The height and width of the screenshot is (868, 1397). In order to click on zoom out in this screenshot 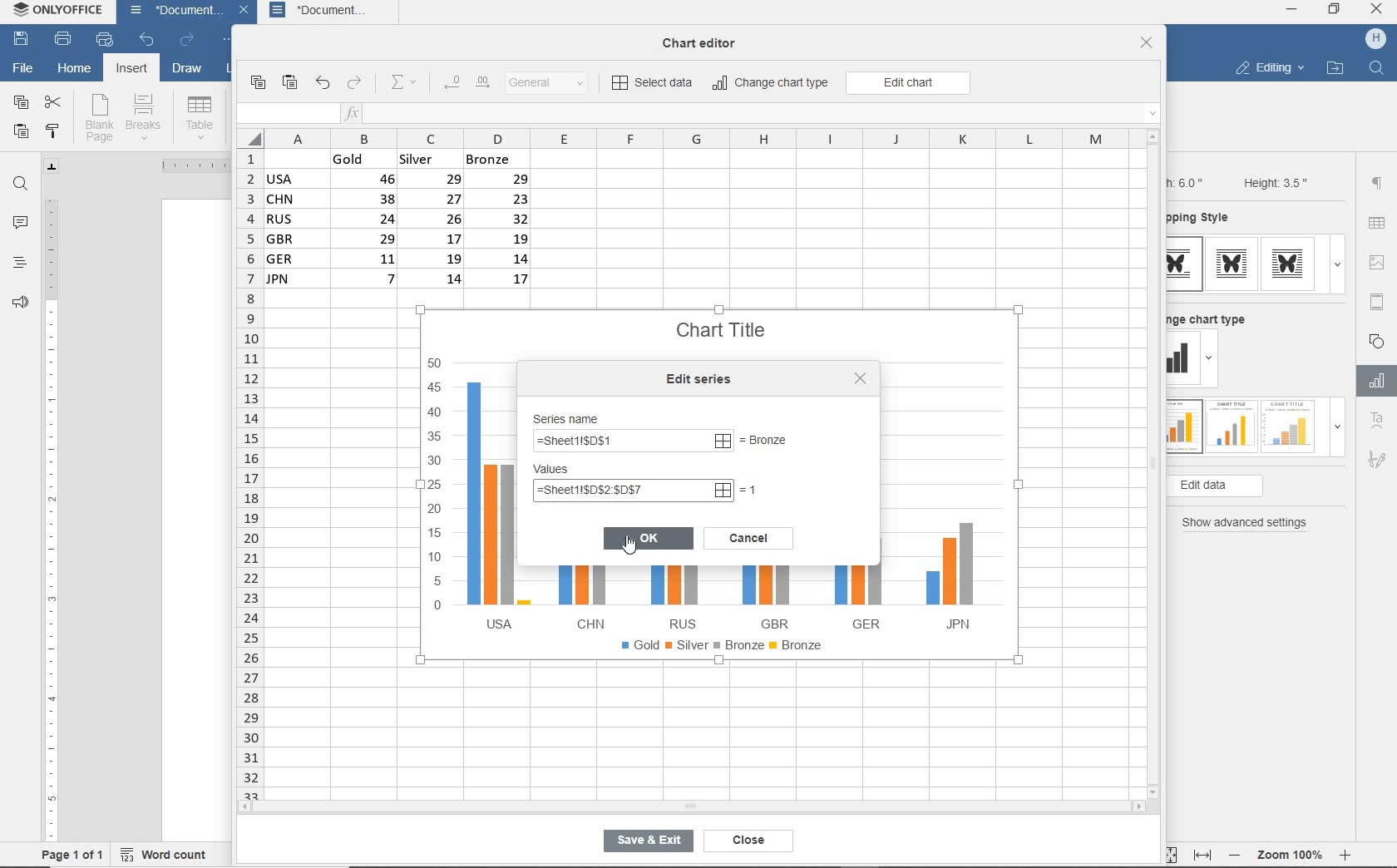, I will do `click(1237, 855)`.